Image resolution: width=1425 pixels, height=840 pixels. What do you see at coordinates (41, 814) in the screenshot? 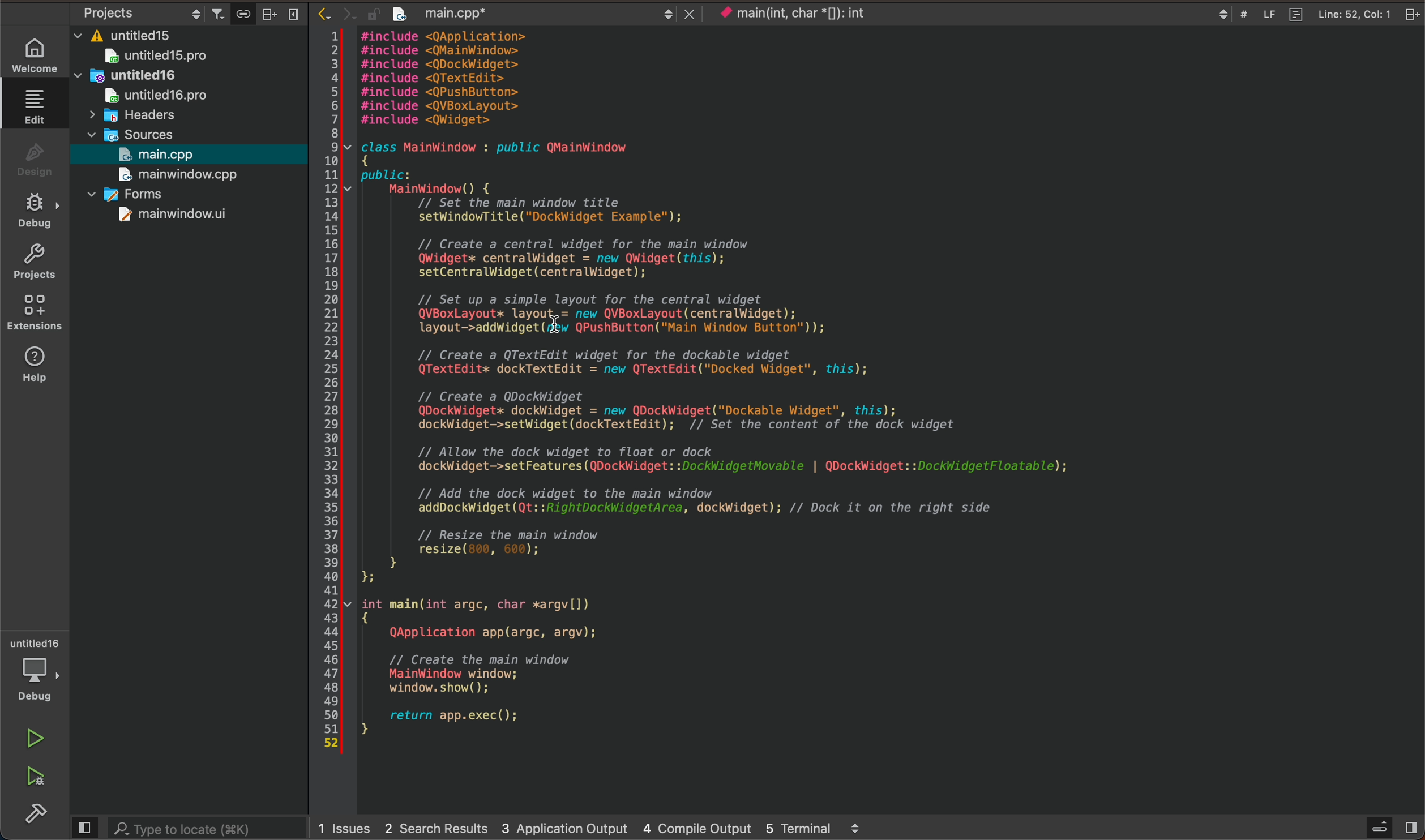
I see `build` at bounding box center [41, 814].